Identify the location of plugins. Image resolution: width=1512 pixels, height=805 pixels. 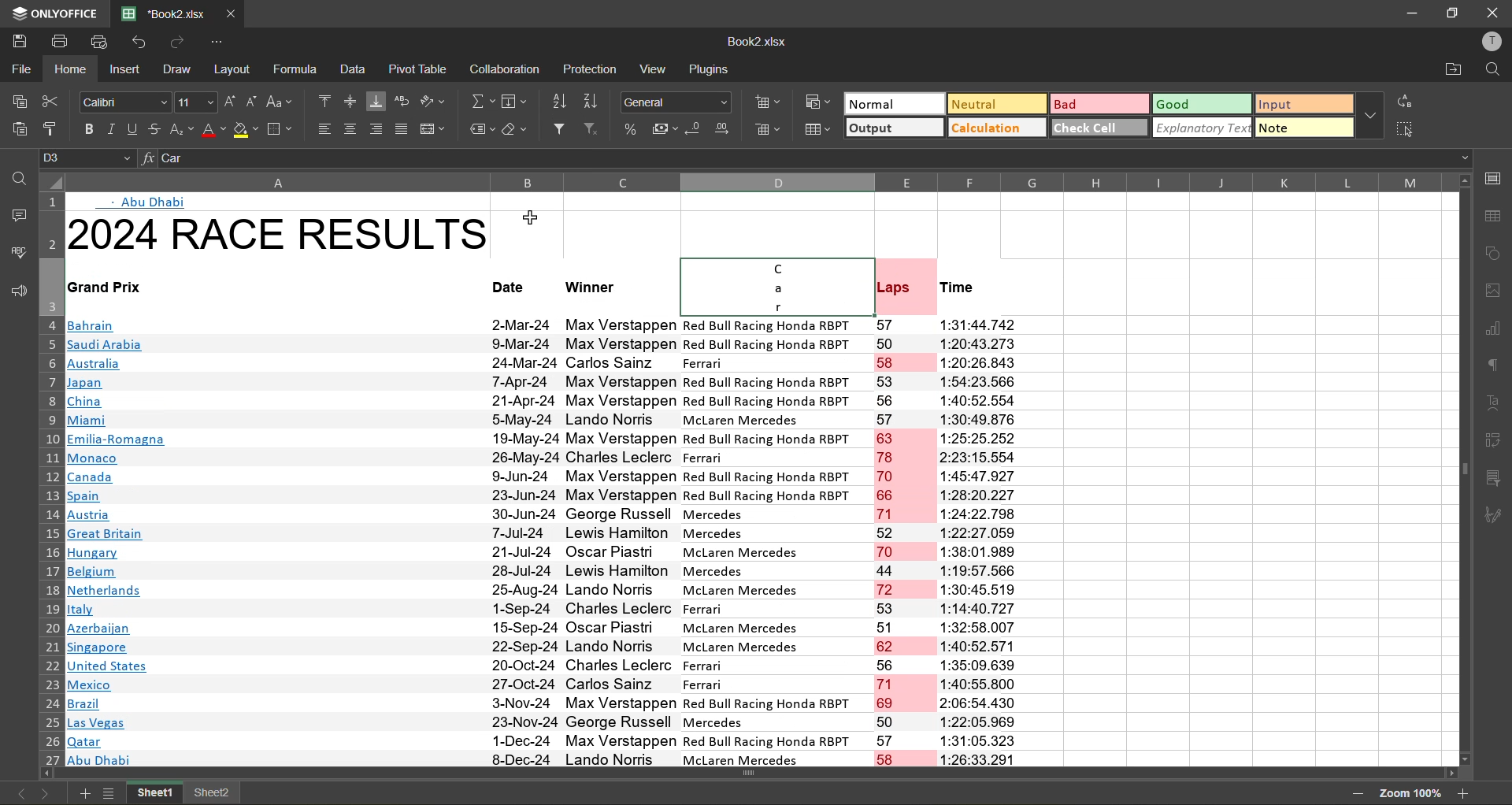
(710, 69).